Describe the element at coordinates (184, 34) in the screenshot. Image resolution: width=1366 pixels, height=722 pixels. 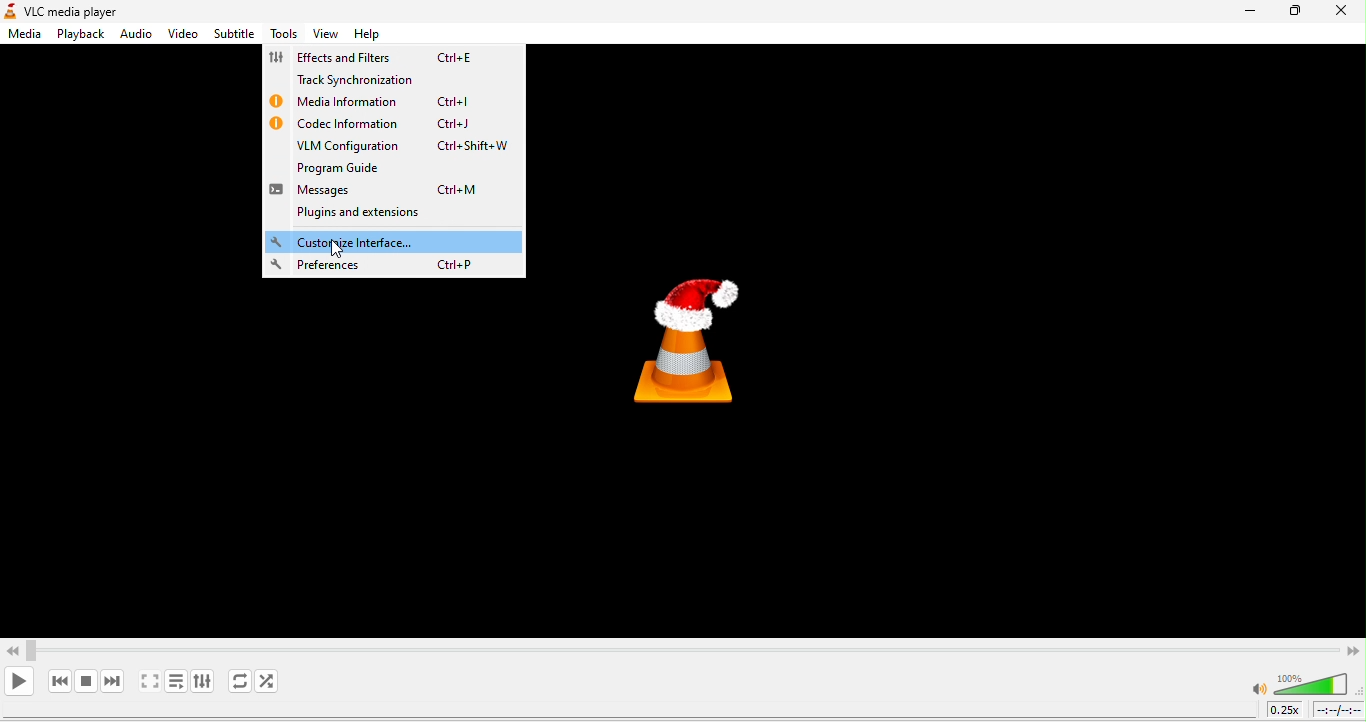
I see `video` at that location.